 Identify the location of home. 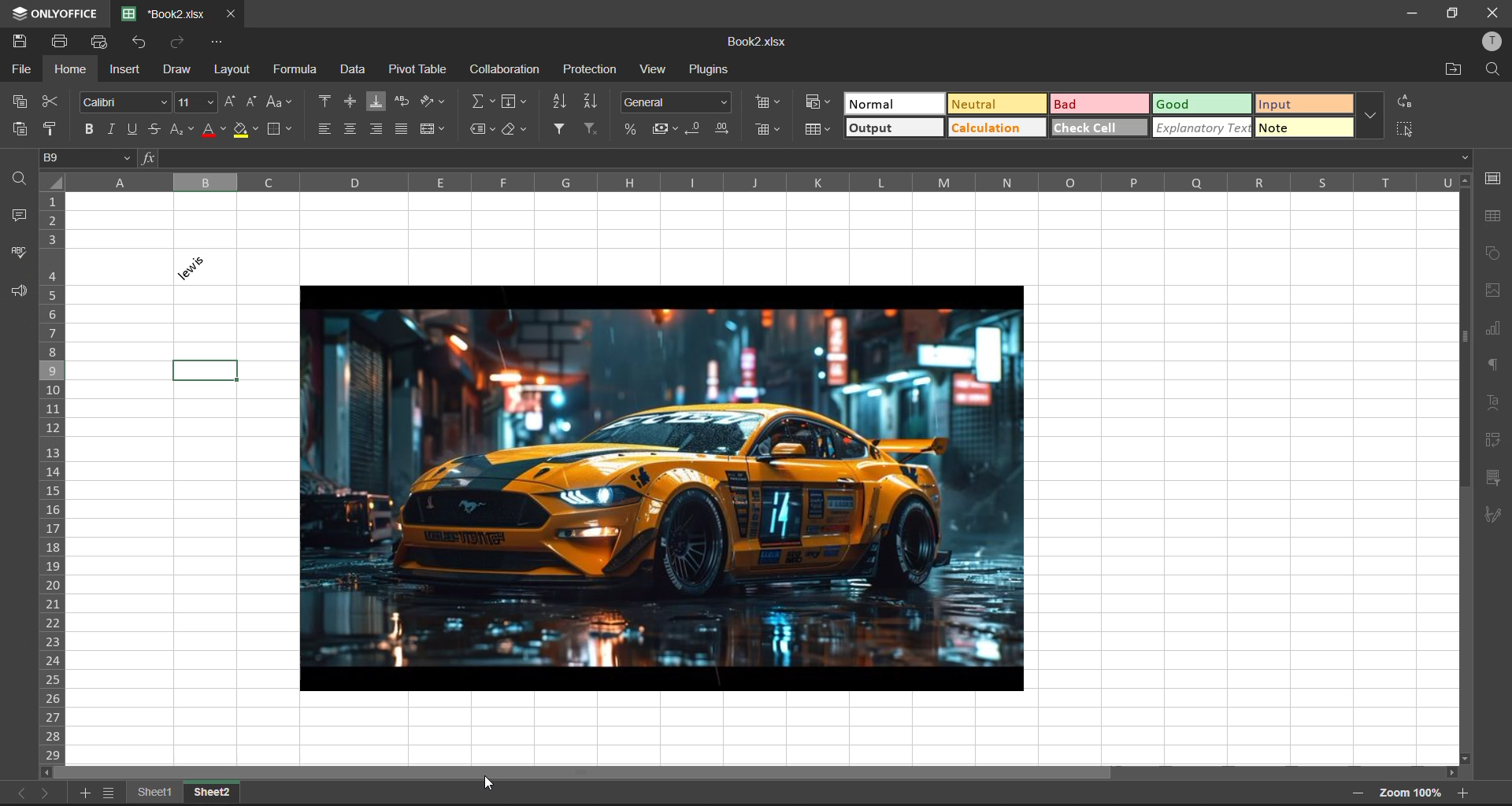
(73, 68).